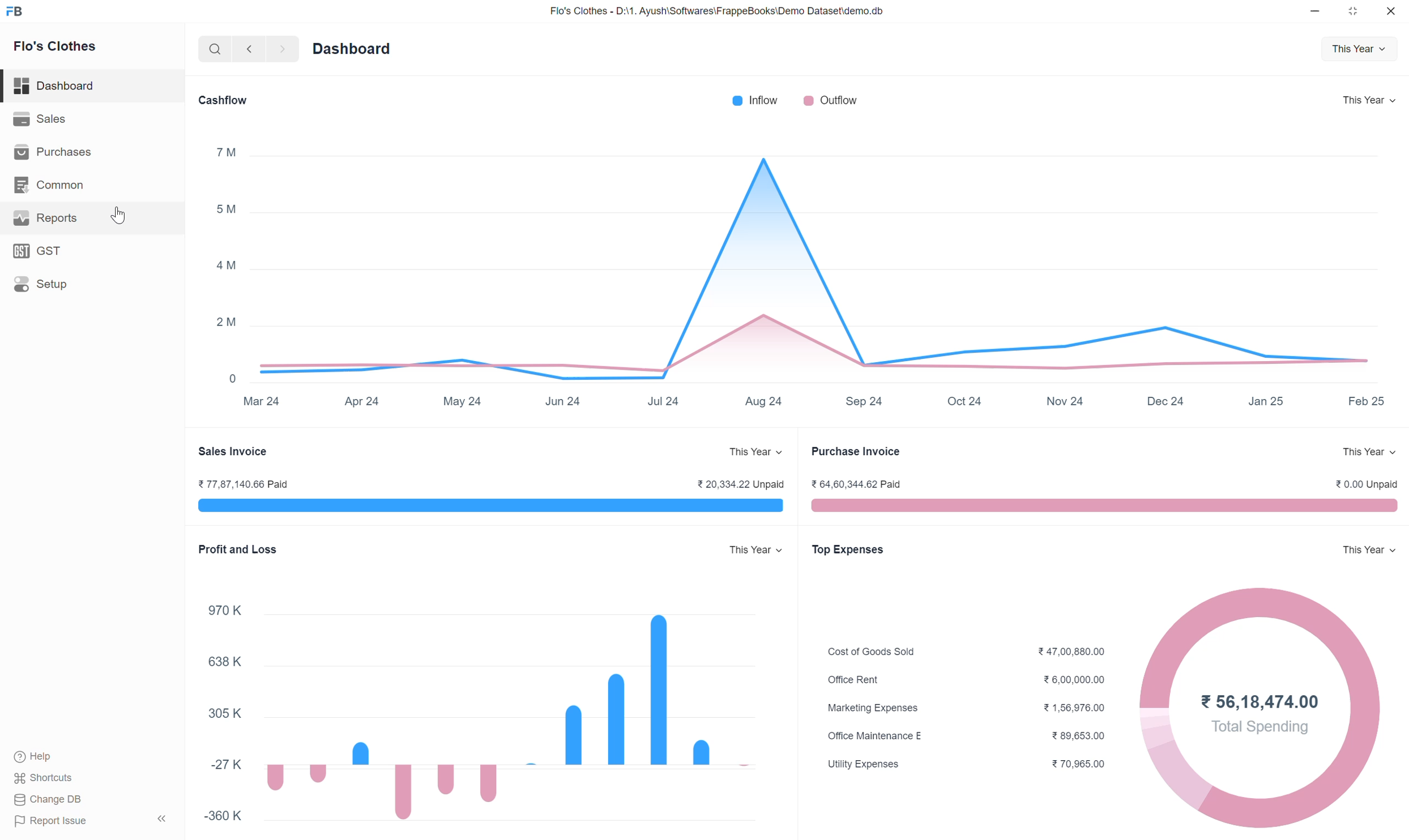 This screenshot has height=840, width=1409. I want to click on minimize, so click(1316, 10).